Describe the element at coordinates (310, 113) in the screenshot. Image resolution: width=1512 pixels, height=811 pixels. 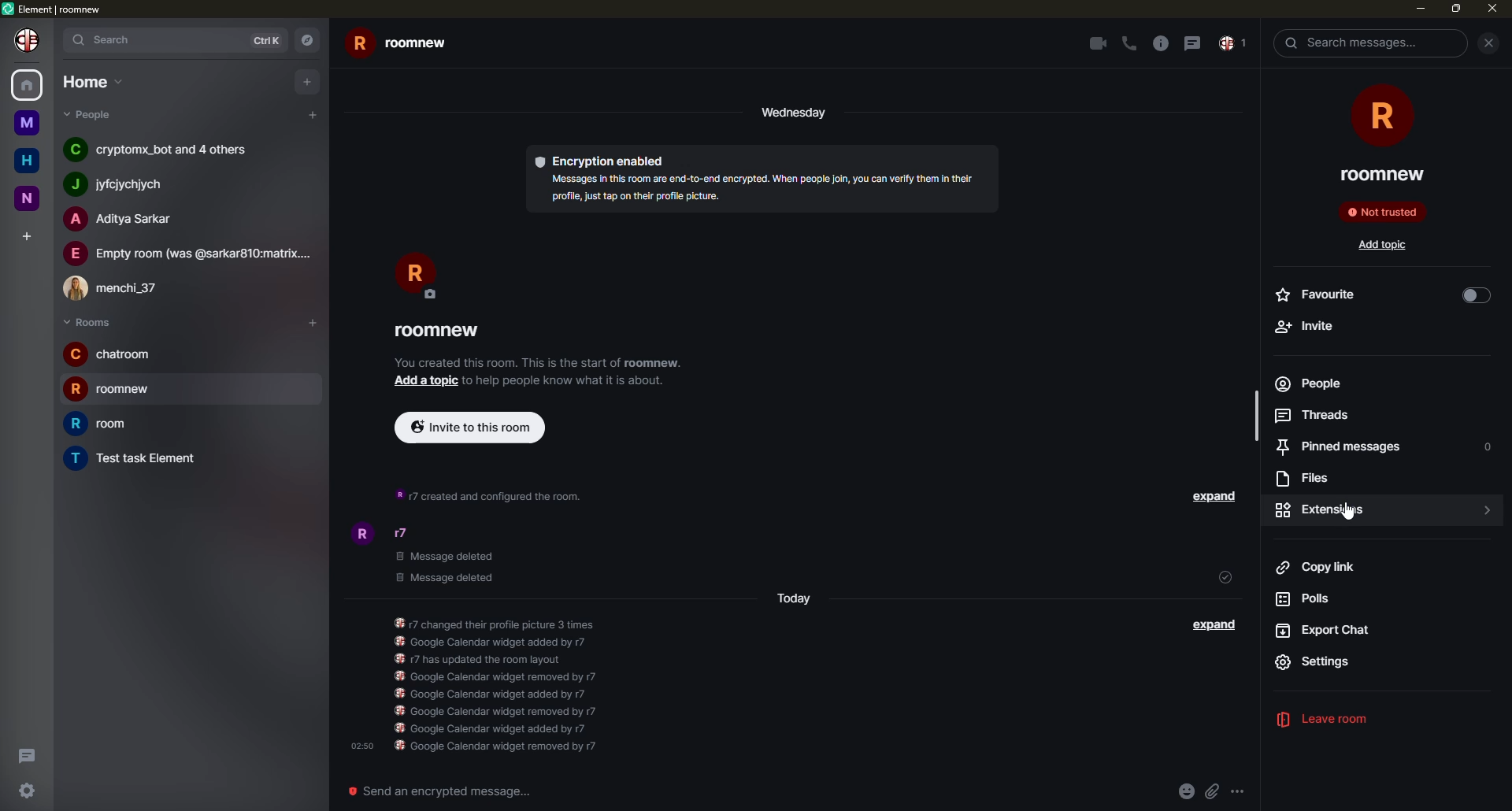
I see `add` at that location.